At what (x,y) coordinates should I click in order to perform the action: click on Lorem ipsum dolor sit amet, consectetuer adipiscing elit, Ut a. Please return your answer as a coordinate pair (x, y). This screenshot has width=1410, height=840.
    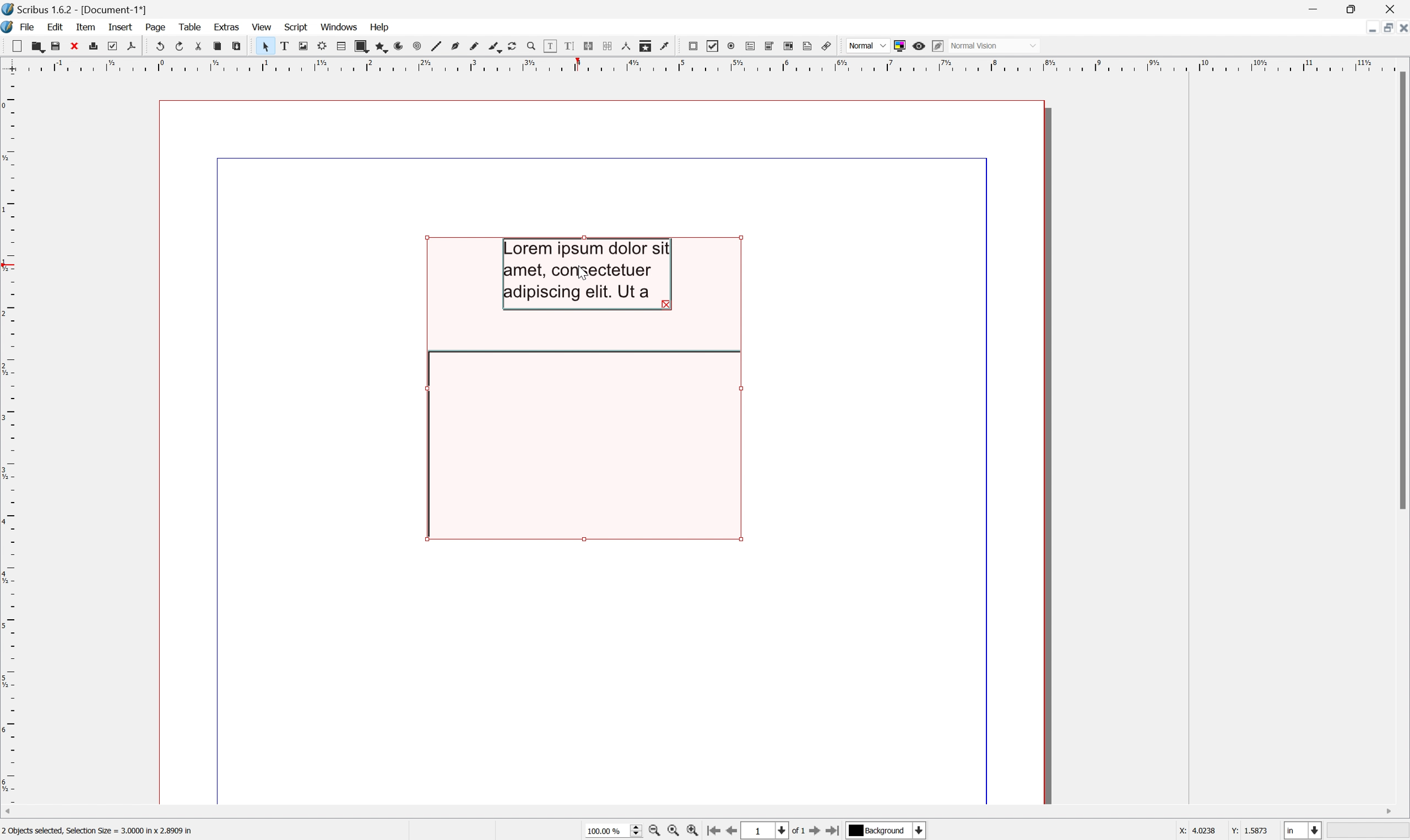
    Looking at the image, I should click on (588, 274).